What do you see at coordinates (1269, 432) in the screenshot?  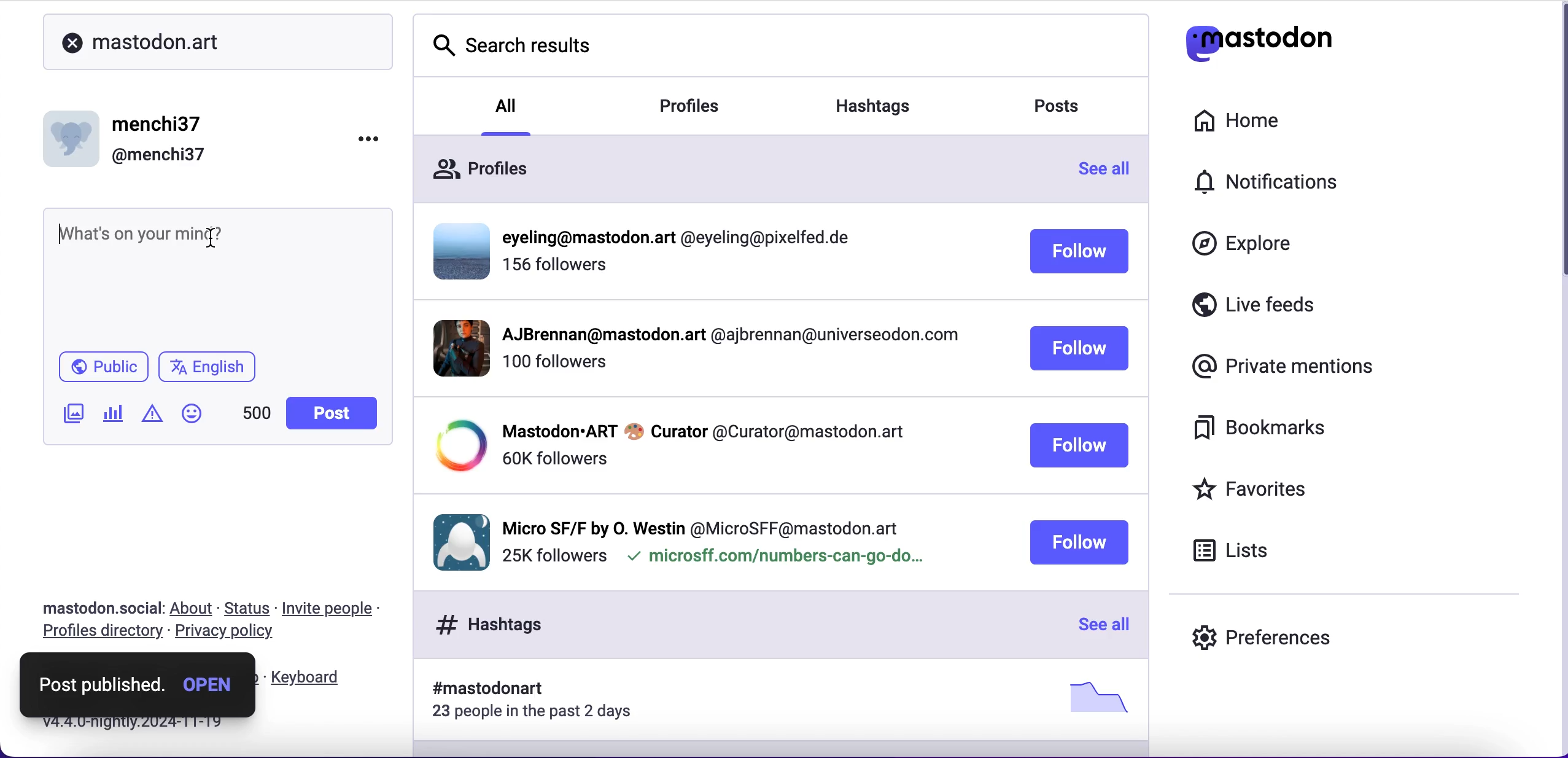 I see `bookmarks` at bounding box center [1269, 432].